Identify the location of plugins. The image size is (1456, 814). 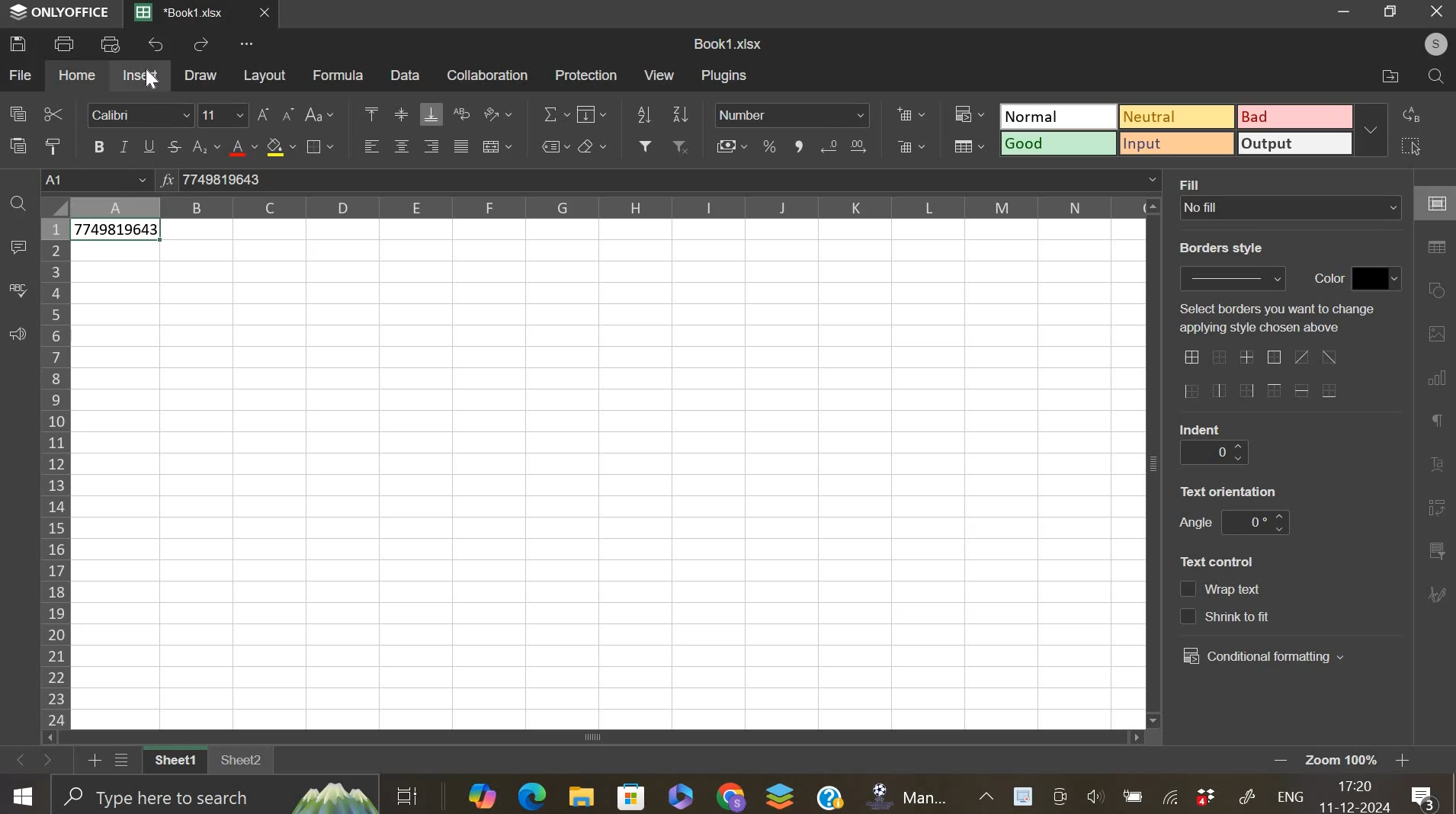
(723, 75).